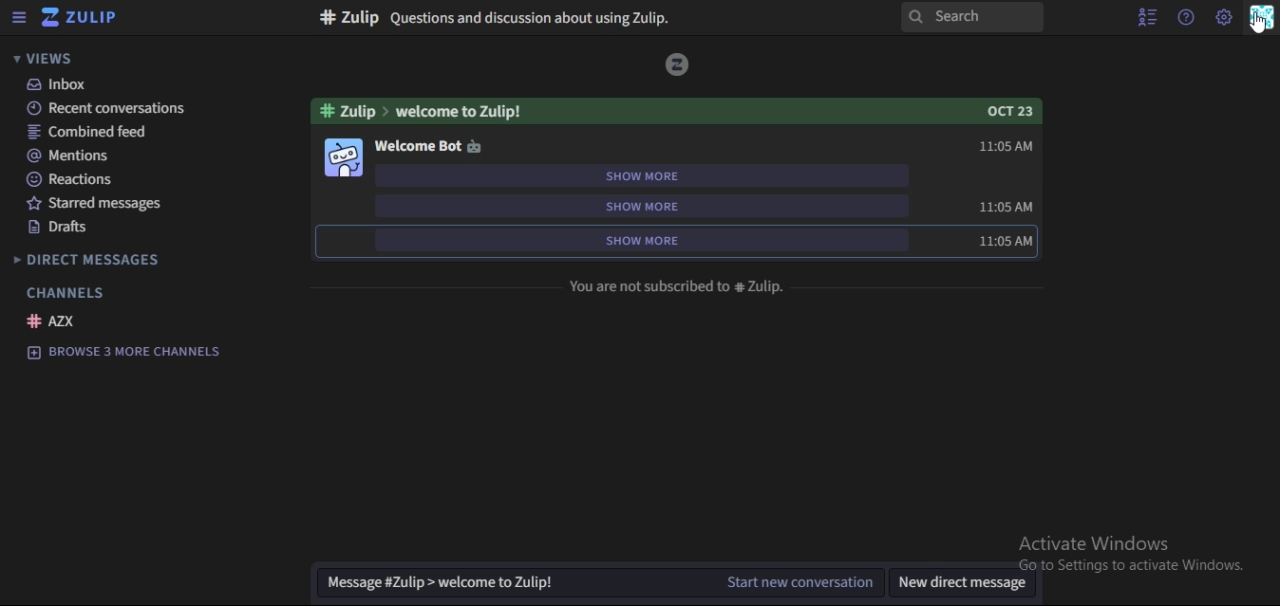 This screenshot has width=1280, height=606. What do you see at coordinates (74, 178) in the screenshot?
I see `reactions` at bounding box center [74, 178].